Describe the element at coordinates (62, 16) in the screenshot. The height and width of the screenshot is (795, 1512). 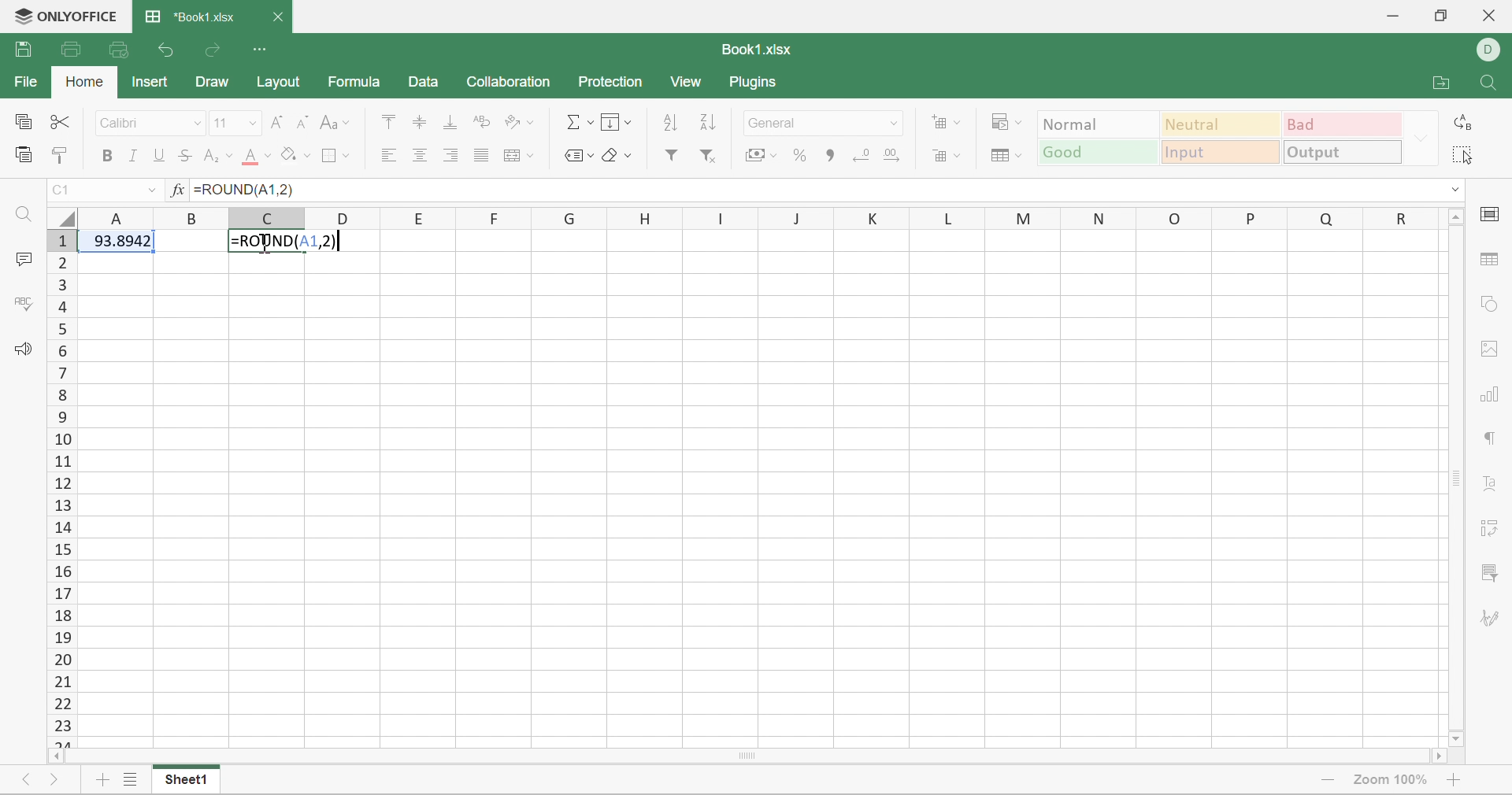
I see `ONLYOFFICE` at that location.